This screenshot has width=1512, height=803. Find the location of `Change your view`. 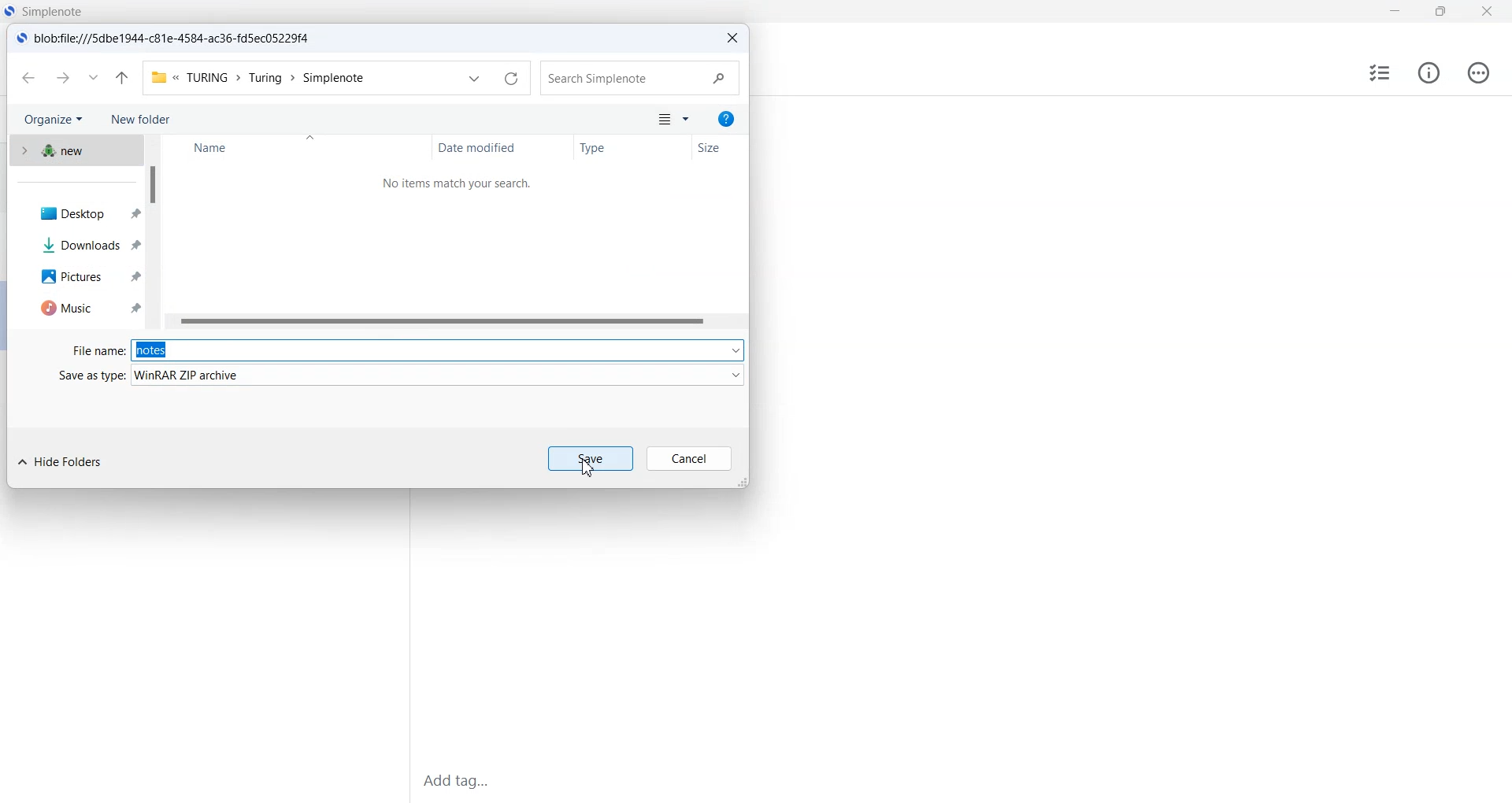

Change your view is located at coordinates (662, 121).